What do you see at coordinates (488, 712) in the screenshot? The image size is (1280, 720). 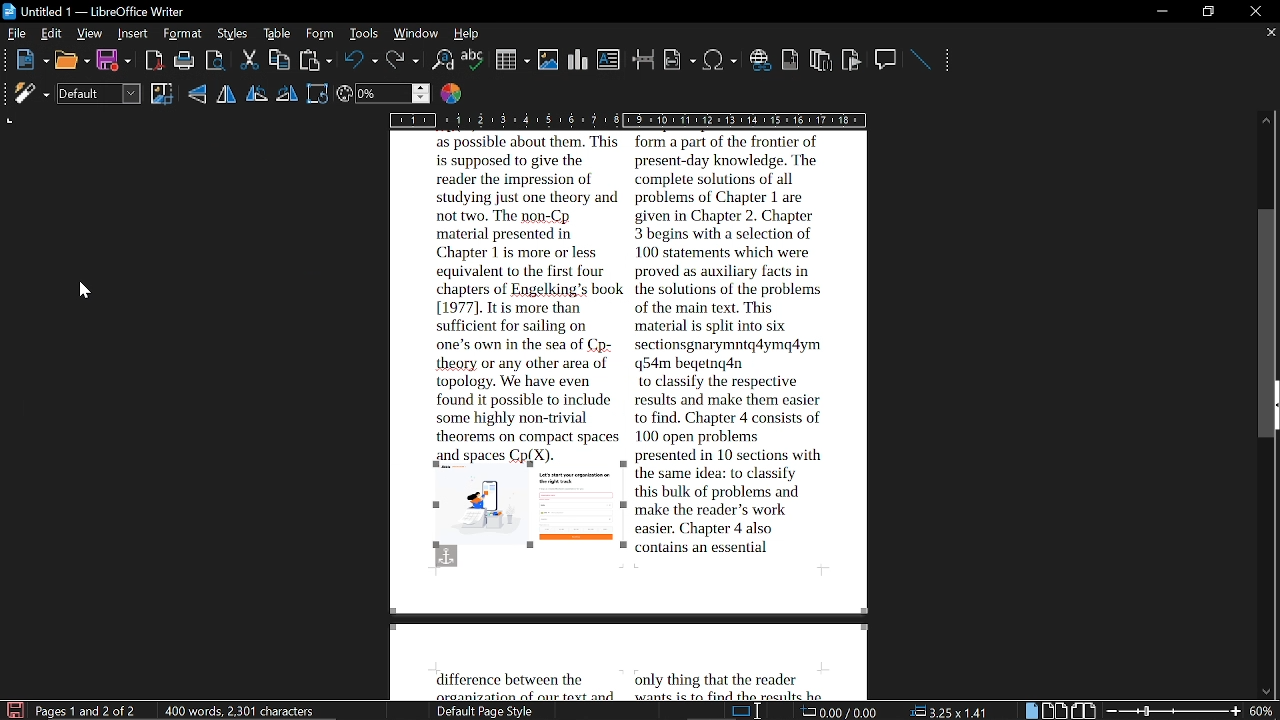 I see `Default page style` at bounding box center [488, 712].